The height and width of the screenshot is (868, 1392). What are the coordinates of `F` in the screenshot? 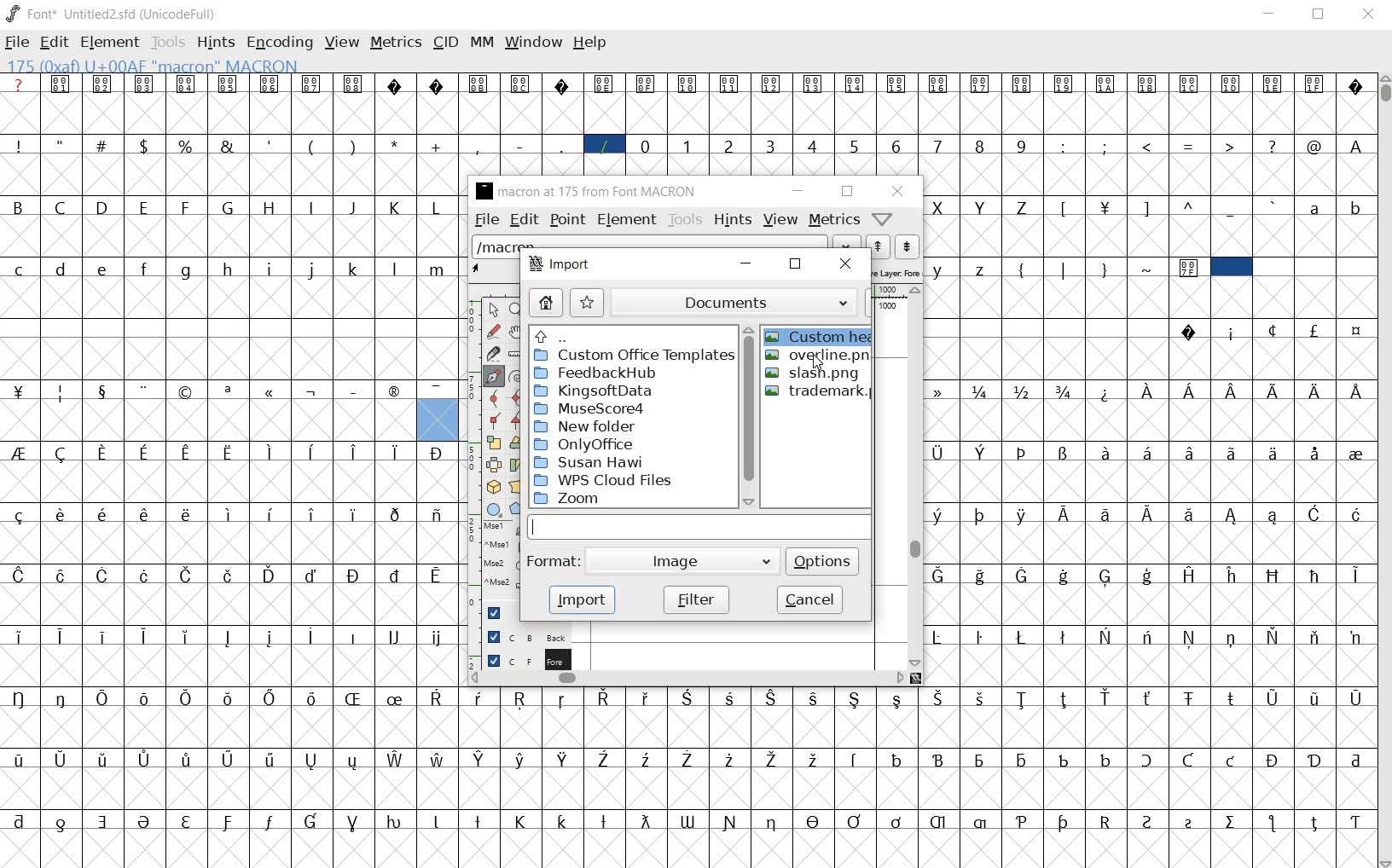 It's located at (188, 206).